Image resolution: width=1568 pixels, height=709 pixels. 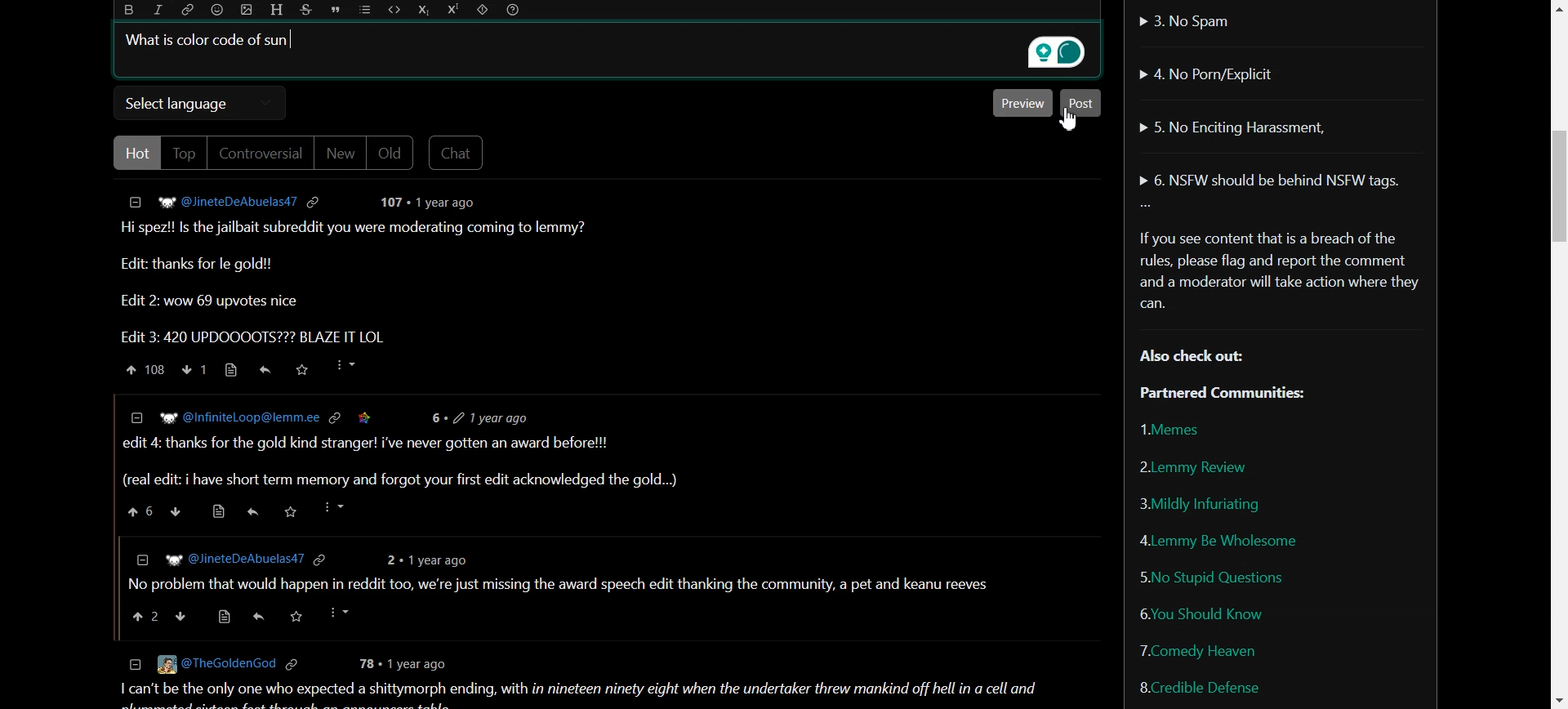 I want to click on post details, so click(x=430, y=203).